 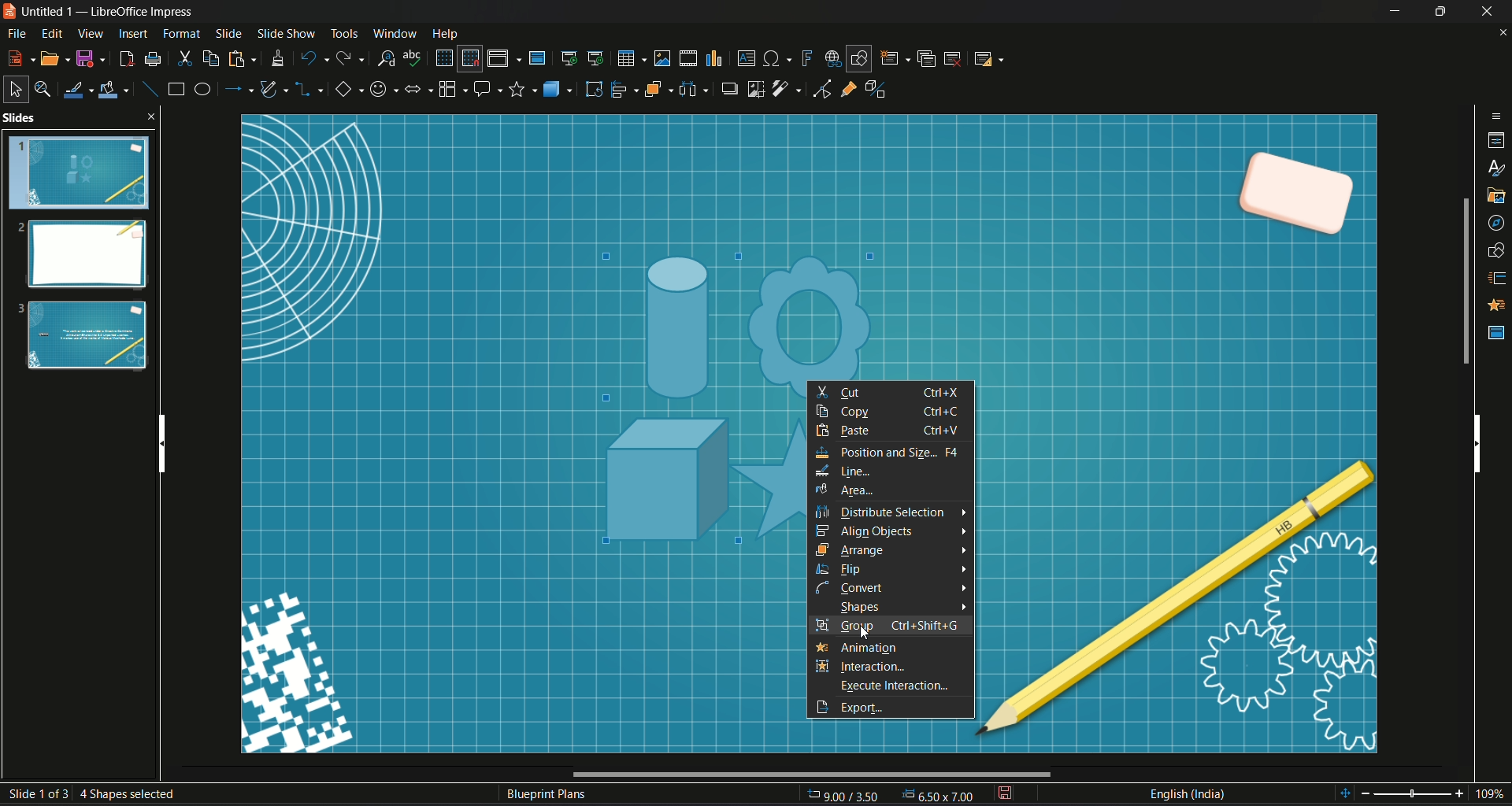 I want to click on insert image, so click(x=662, y=57).